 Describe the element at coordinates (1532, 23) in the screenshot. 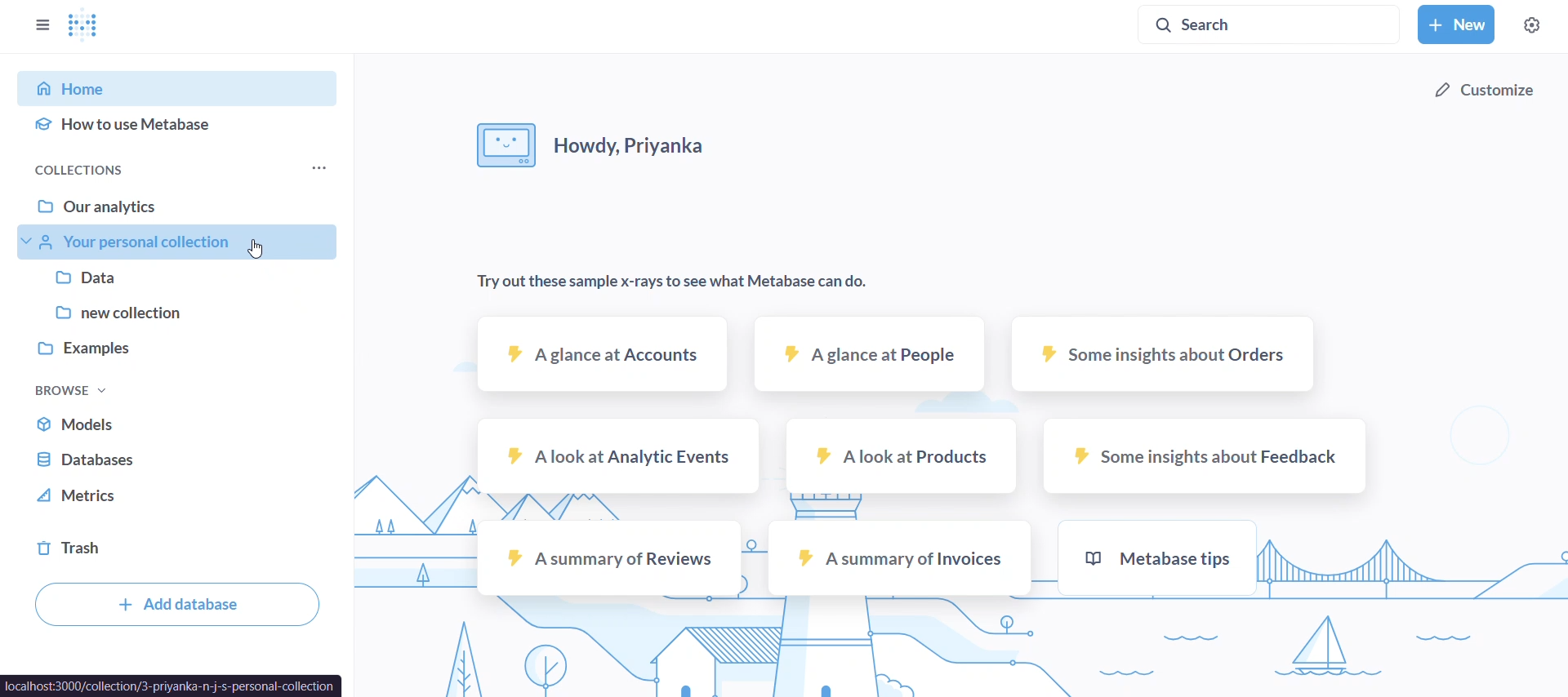

I see `settings` at that location.